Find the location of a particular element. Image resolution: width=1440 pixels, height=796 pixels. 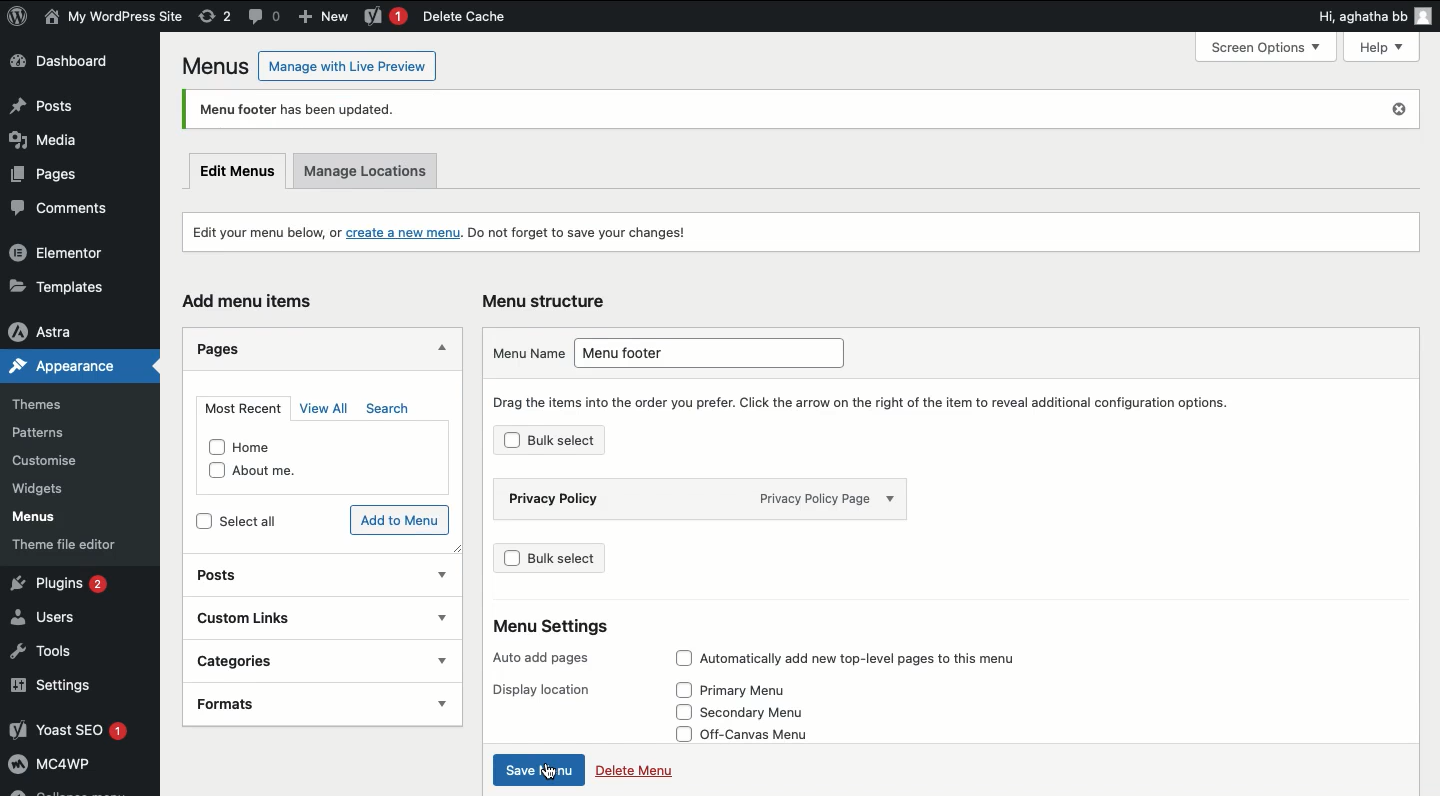

Patterns is located at coordinates (54, 429).